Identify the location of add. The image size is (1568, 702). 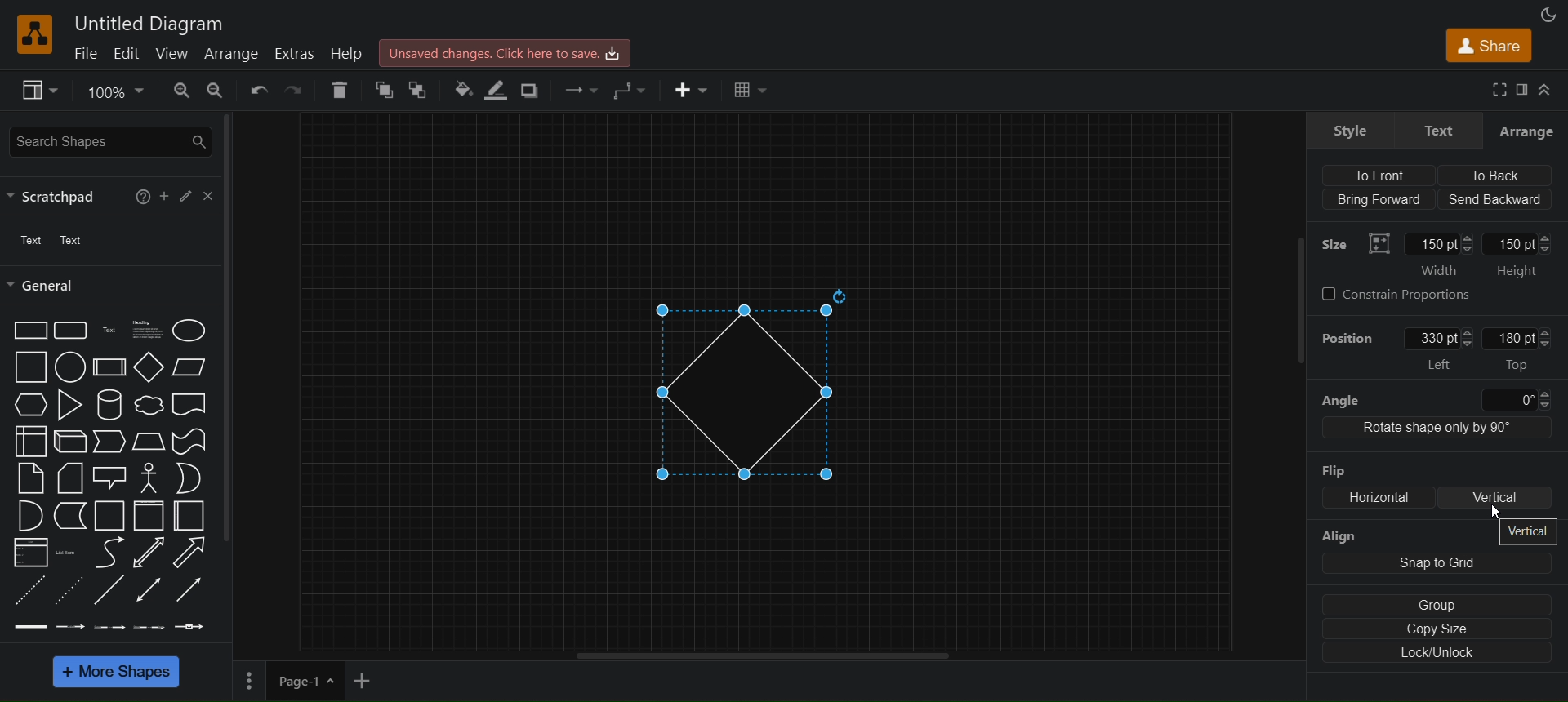
(365, 680).